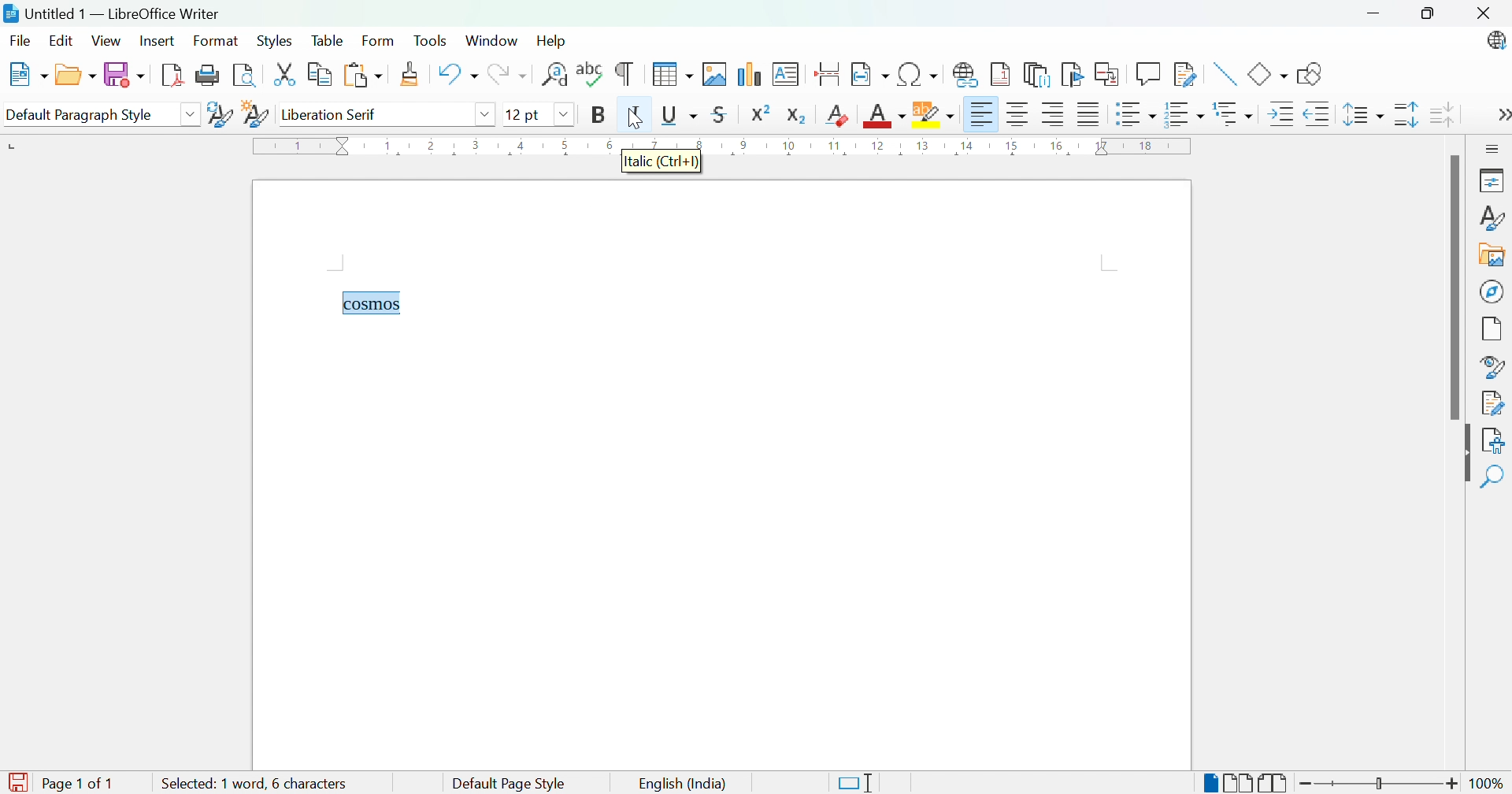 The image size is (1512, 794). I want to click on Form, so click(378, 40).